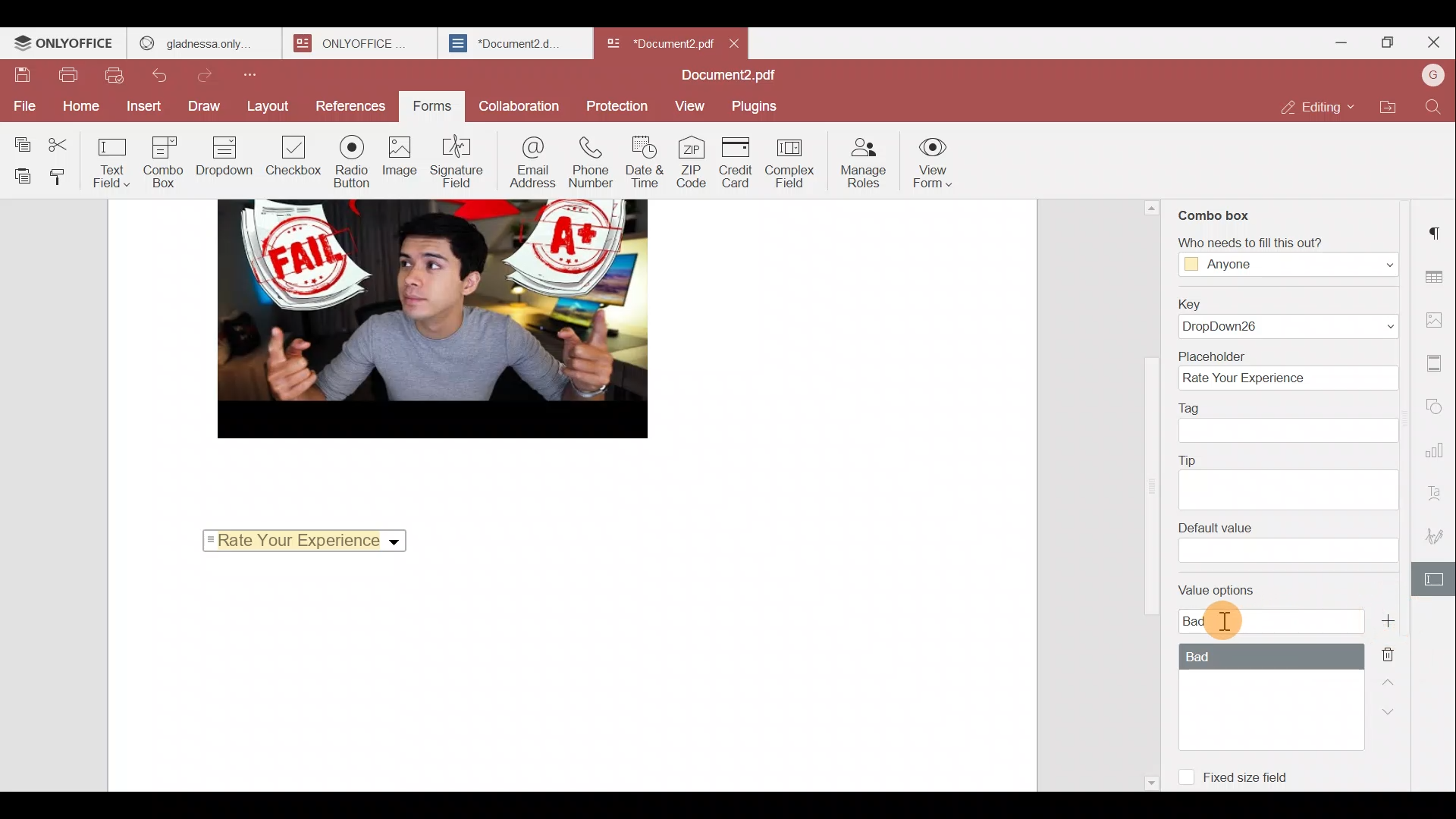 The image size is (1456, 819). I want to click on Save, so click(23, 76).